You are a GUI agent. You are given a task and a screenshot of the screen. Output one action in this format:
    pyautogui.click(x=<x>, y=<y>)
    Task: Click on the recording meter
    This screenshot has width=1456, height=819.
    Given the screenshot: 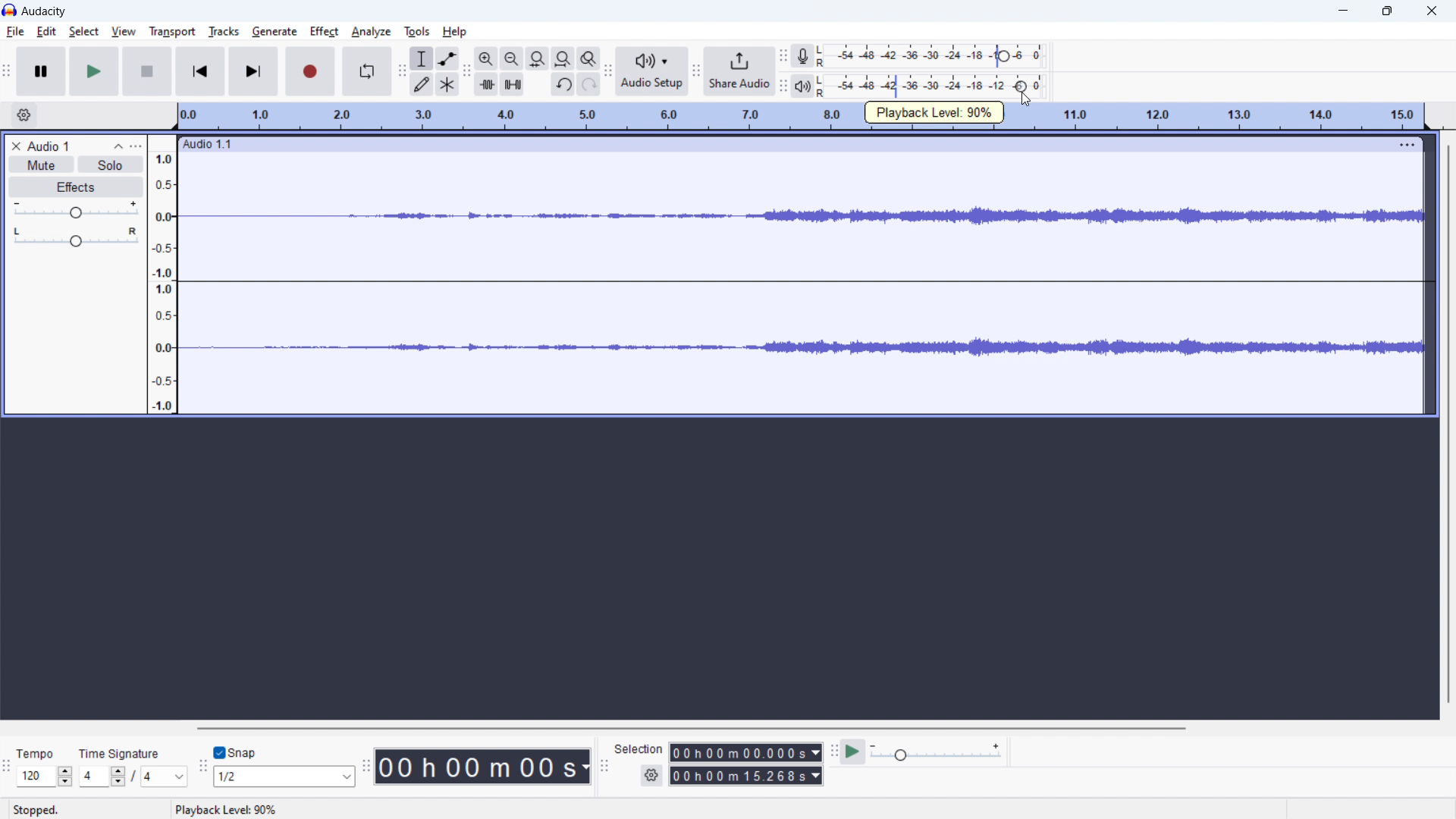 What is the action you would take?
    pyautogui.click(x=783, y=56)
    